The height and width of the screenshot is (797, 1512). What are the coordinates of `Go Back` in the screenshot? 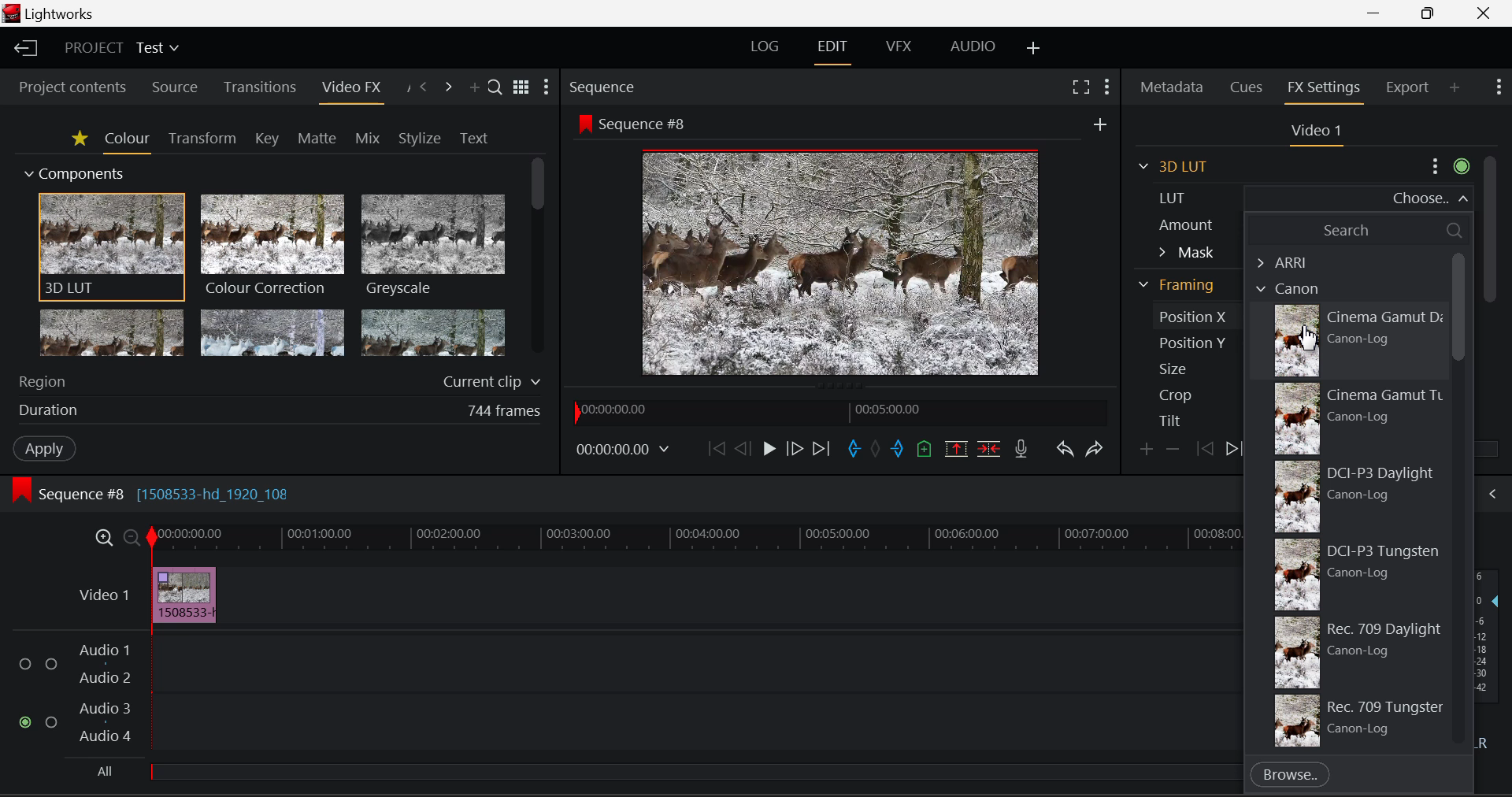 It's located at (743, 451).